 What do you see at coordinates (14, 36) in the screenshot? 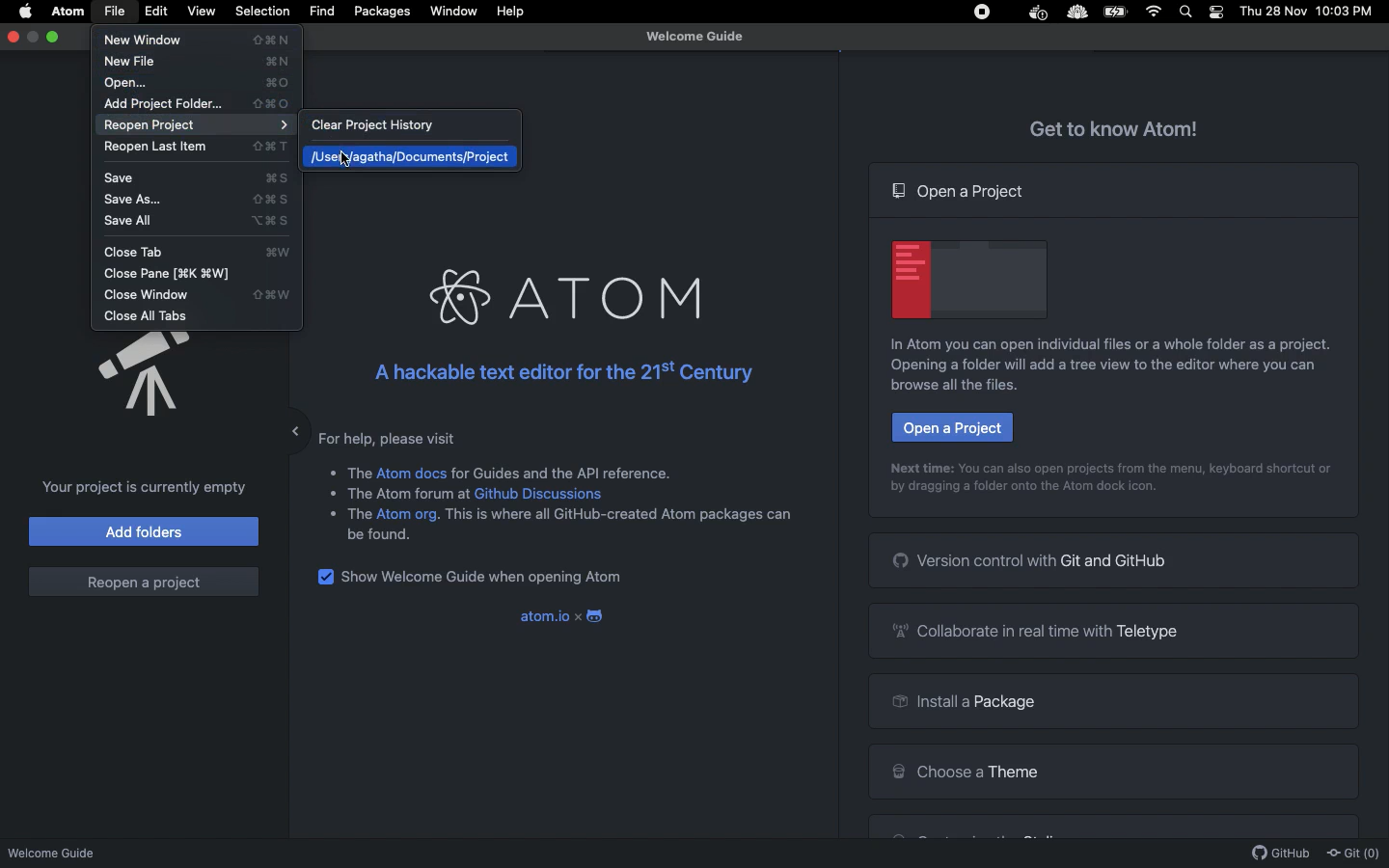
I see `Close` at bounding box center [14, 36].